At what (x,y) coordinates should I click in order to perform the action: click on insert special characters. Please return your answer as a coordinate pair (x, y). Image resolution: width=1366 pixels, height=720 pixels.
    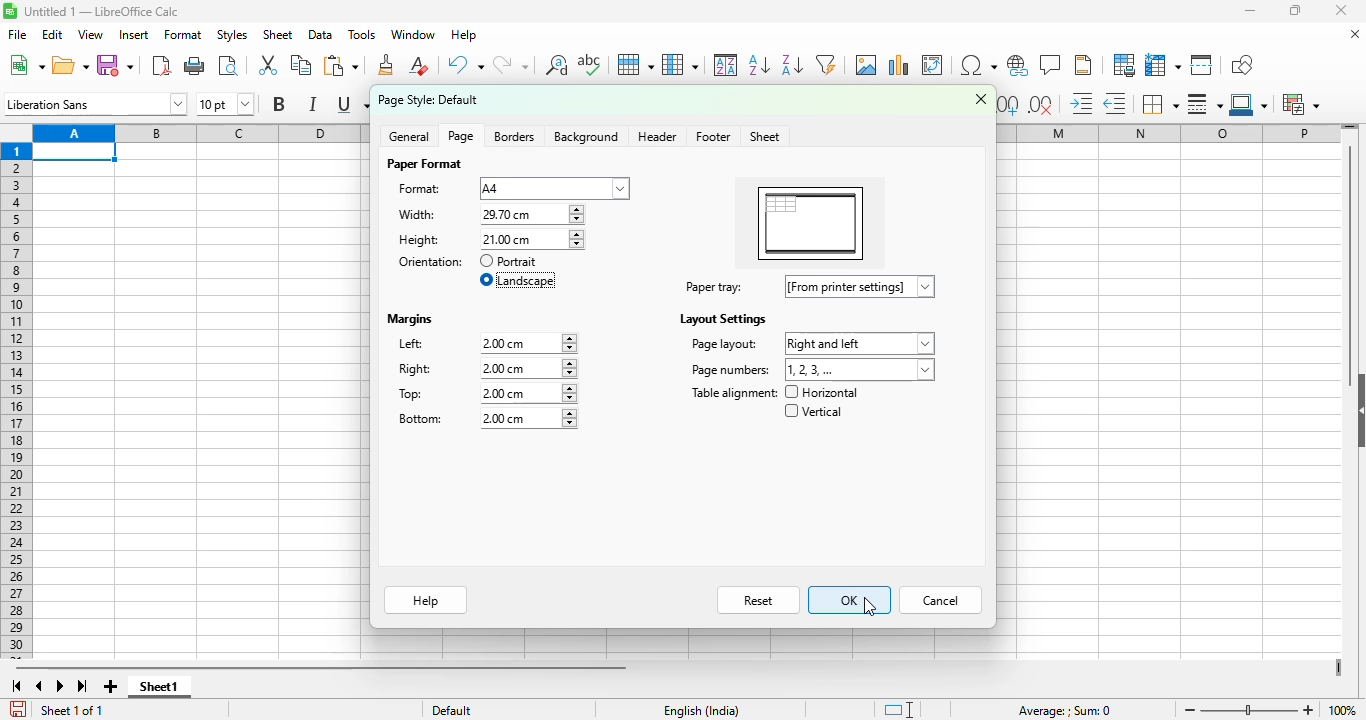
    Looking at the image, I should click on (979, 65).